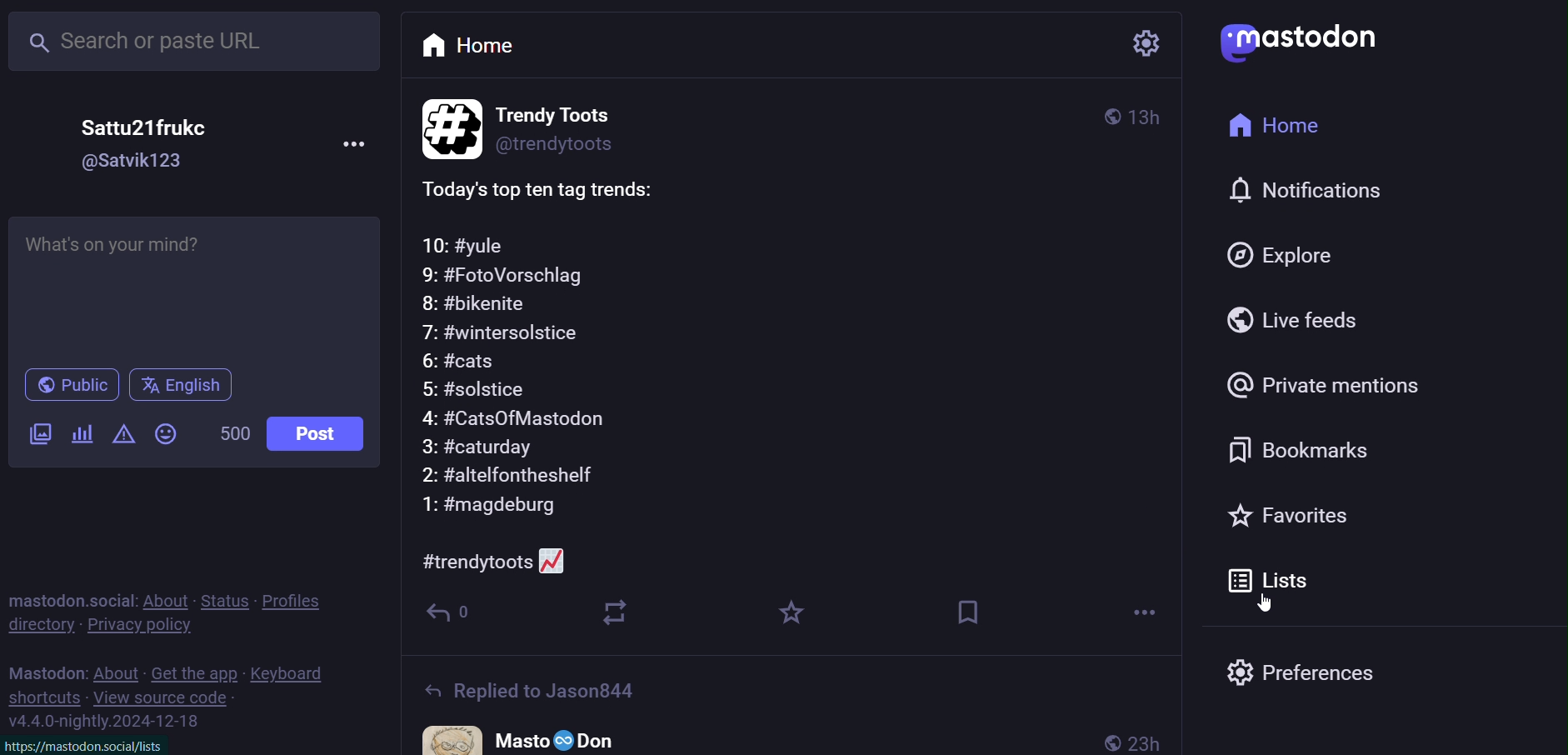 Image resolution: width=1568 pixels, height=755 pixels. I want to click on public, so click(1101, 116).